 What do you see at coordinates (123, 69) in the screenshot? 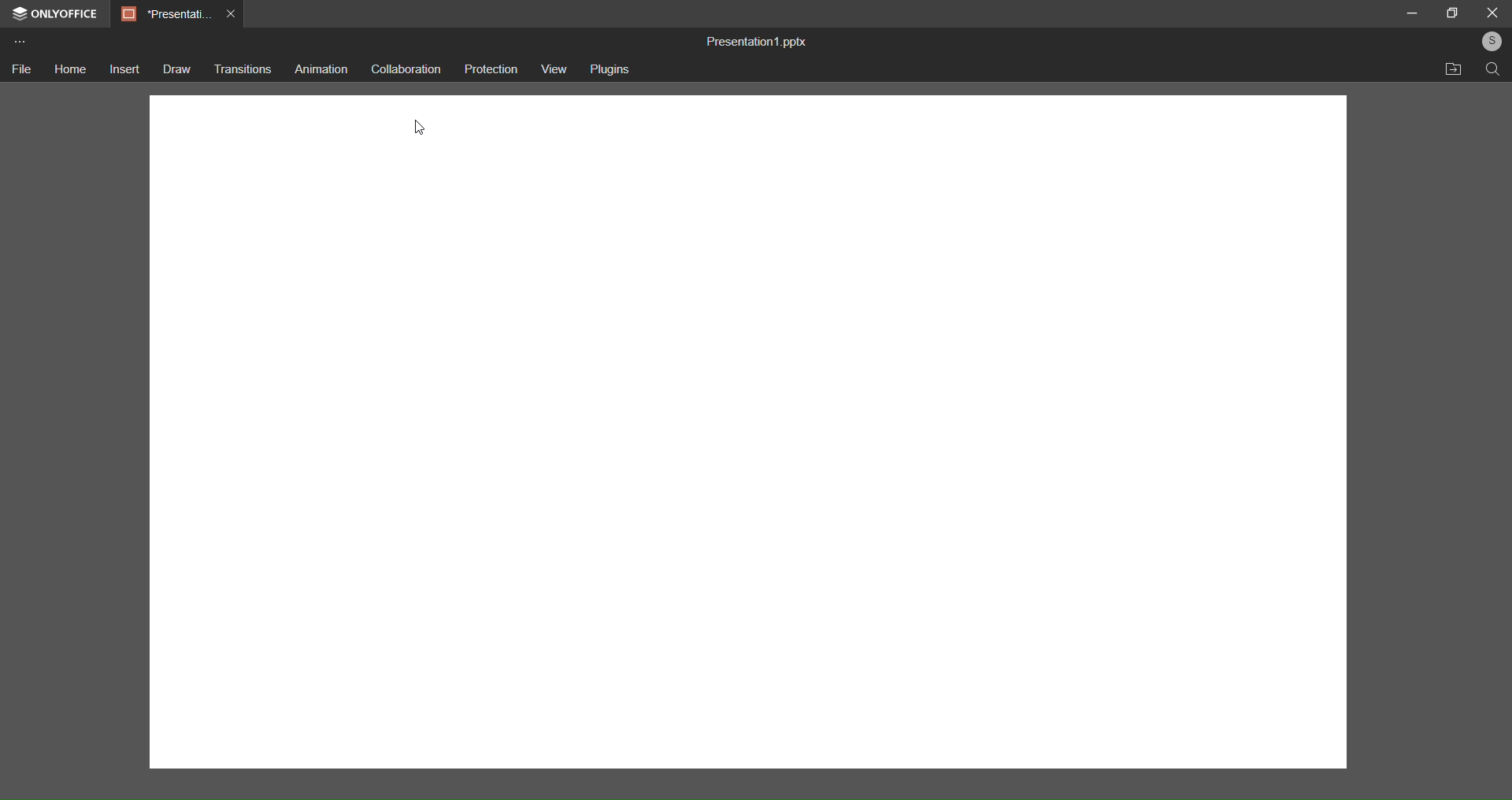
I see `insert` at bounding box center [123, 69].